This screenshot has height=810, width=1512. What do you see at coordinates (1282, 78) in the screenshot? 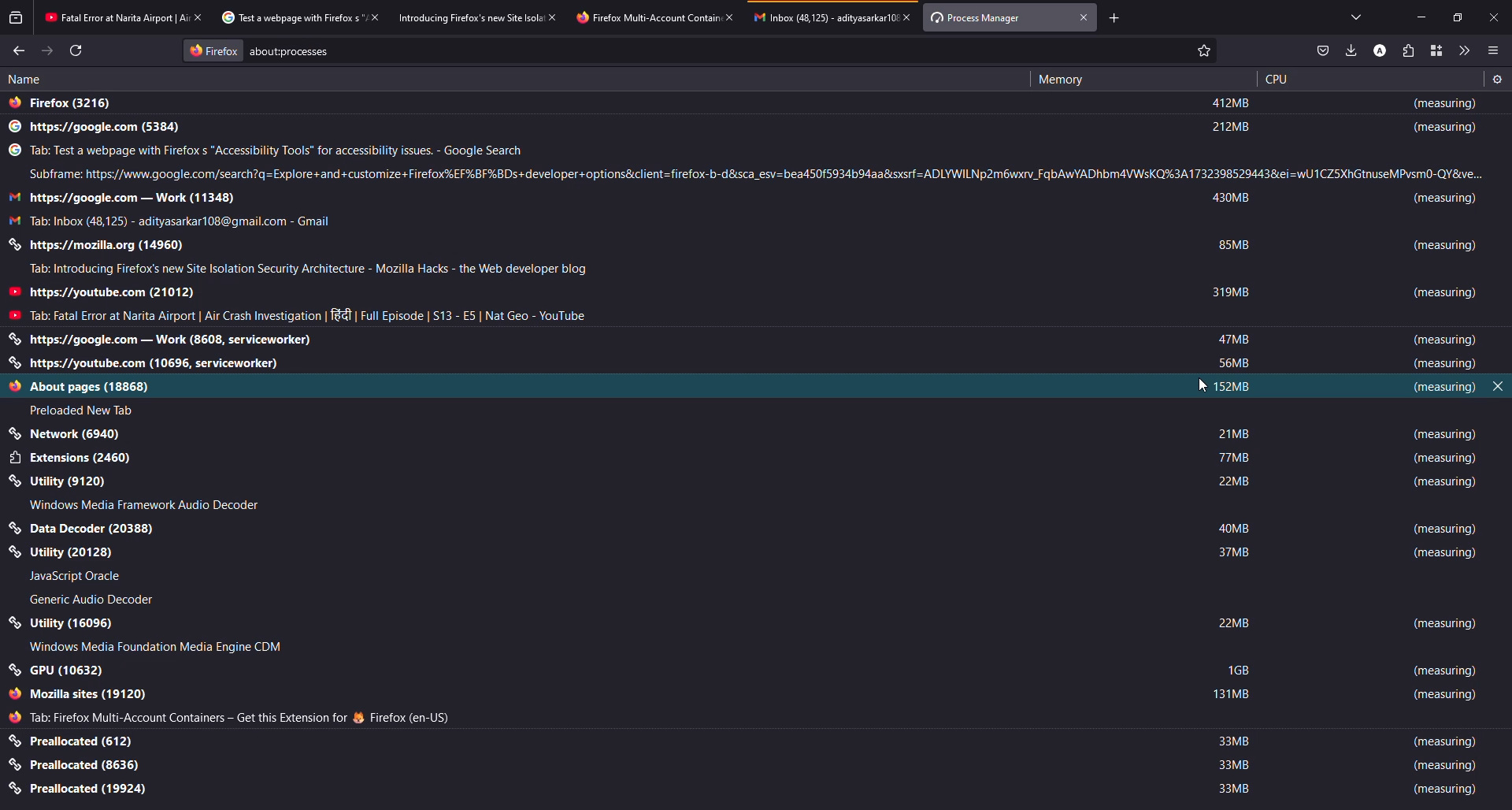
I see `cpu` at bounding box center [1282, 78].